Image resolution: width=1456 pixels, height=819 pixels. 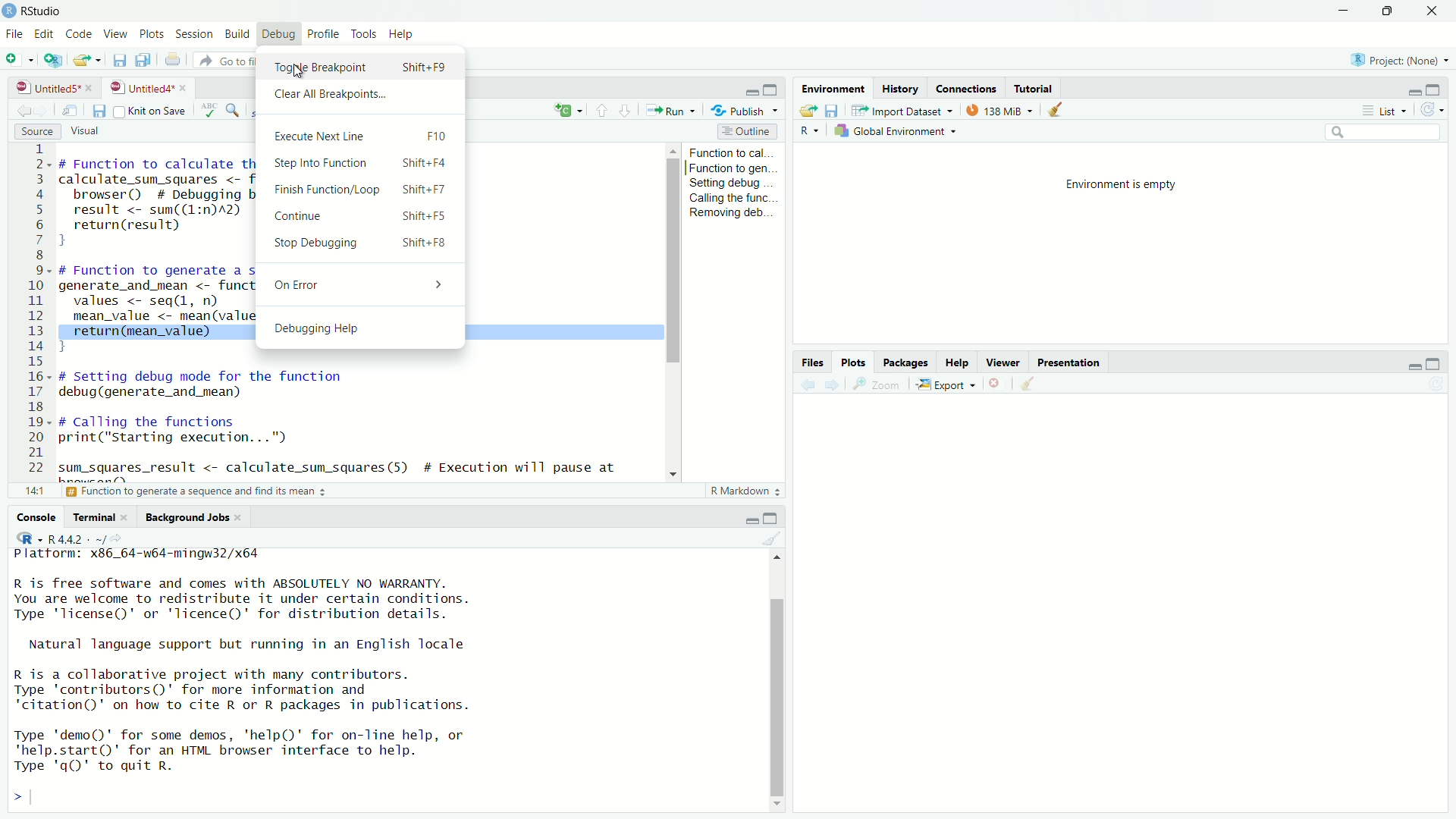 What do you see at coordinates (805, 384) in the screenshot?
I see `previous plot` at bounding box center [805, 384].